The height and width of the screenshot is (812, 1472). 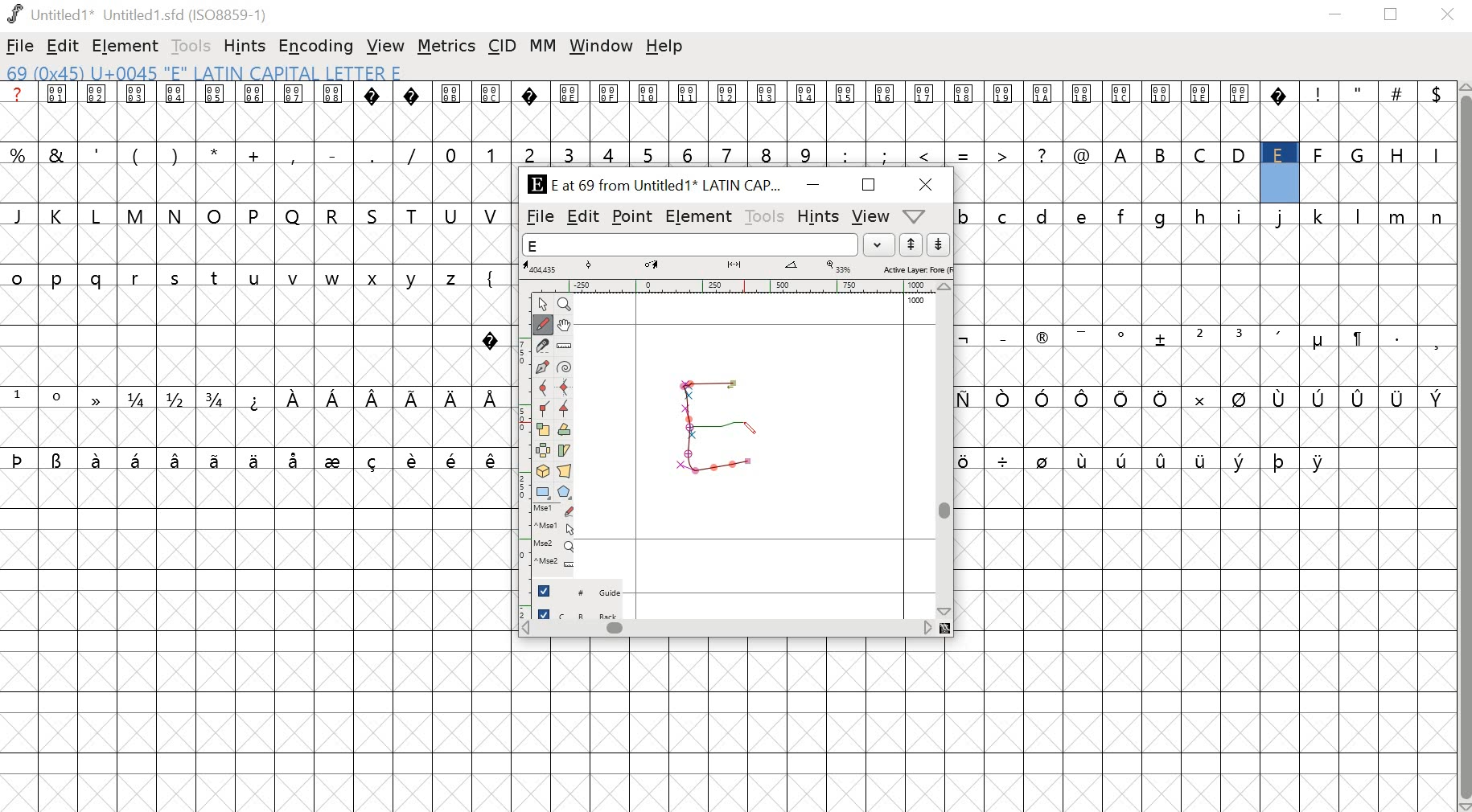 I want to click on tools, so click(x=763, y=215).